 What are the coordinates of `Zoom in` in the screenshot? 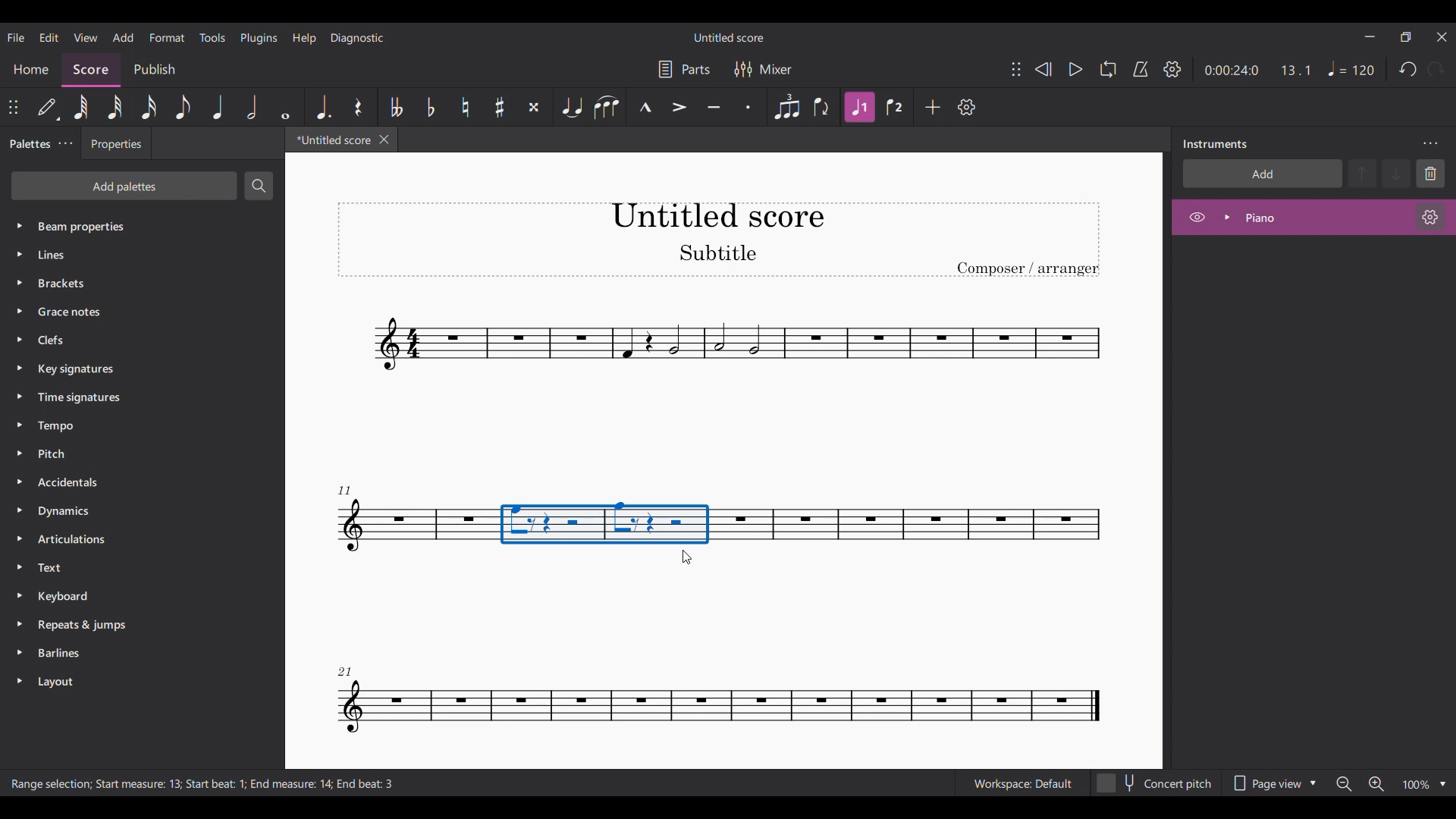 It's located at (1376, 784).